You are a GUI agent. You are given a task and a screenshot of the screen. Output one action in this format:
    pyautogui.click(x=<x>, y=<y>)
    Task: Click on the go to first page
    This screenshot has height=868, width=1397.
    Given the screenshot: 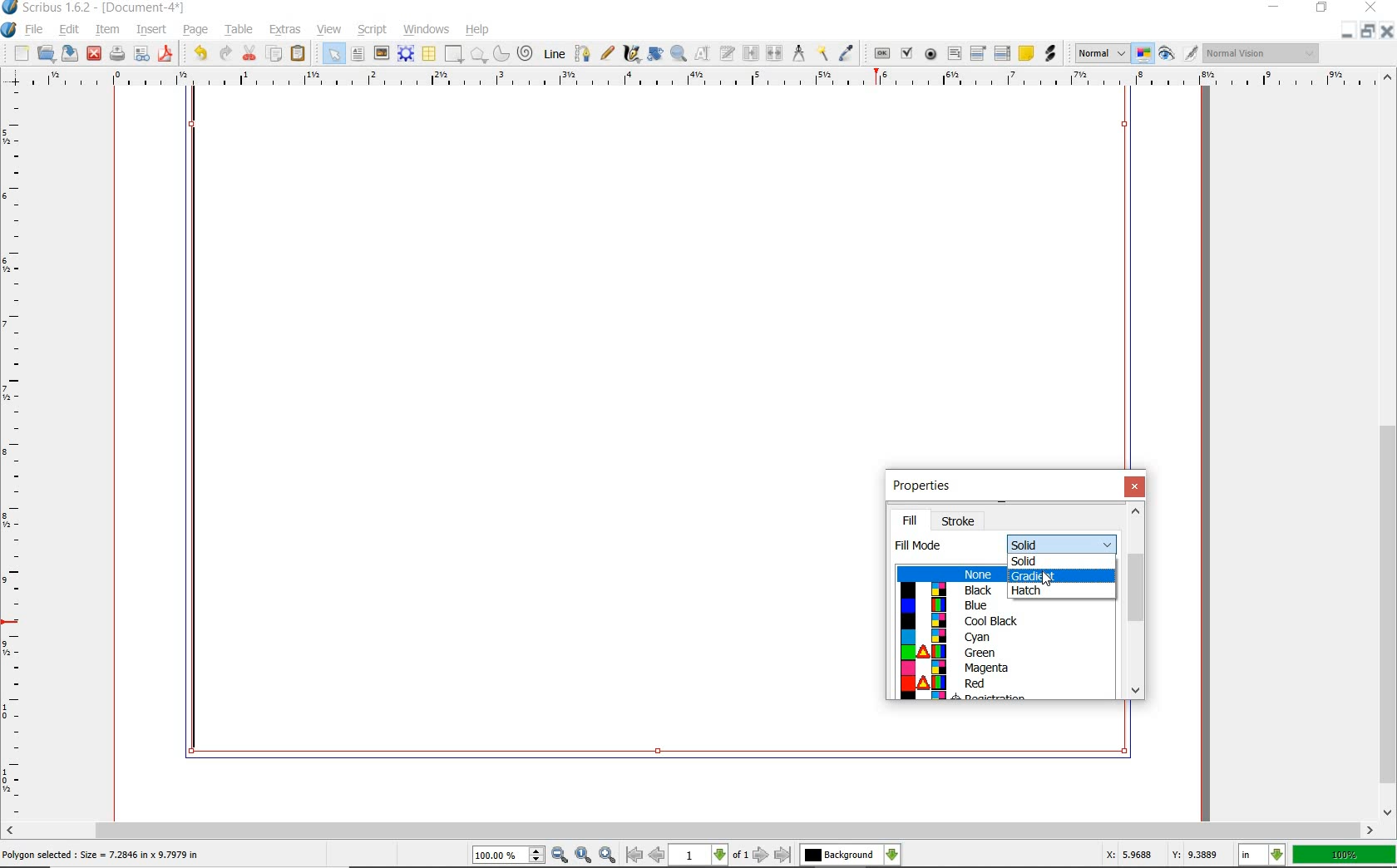 What is the action you would take?
    pyautogui.click(x=635, y=856)
    